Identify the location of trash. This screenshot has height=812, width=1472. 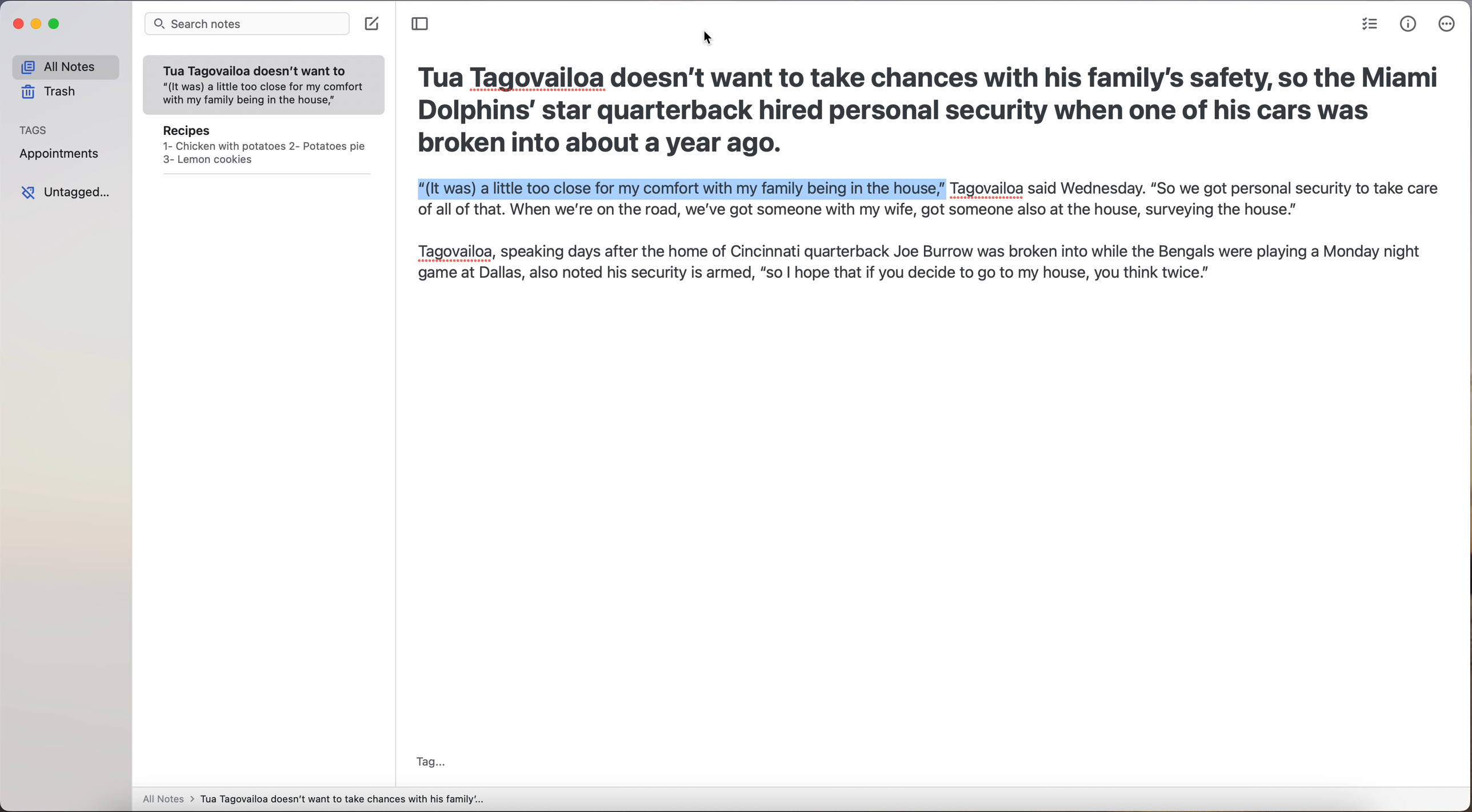
(50, 91).